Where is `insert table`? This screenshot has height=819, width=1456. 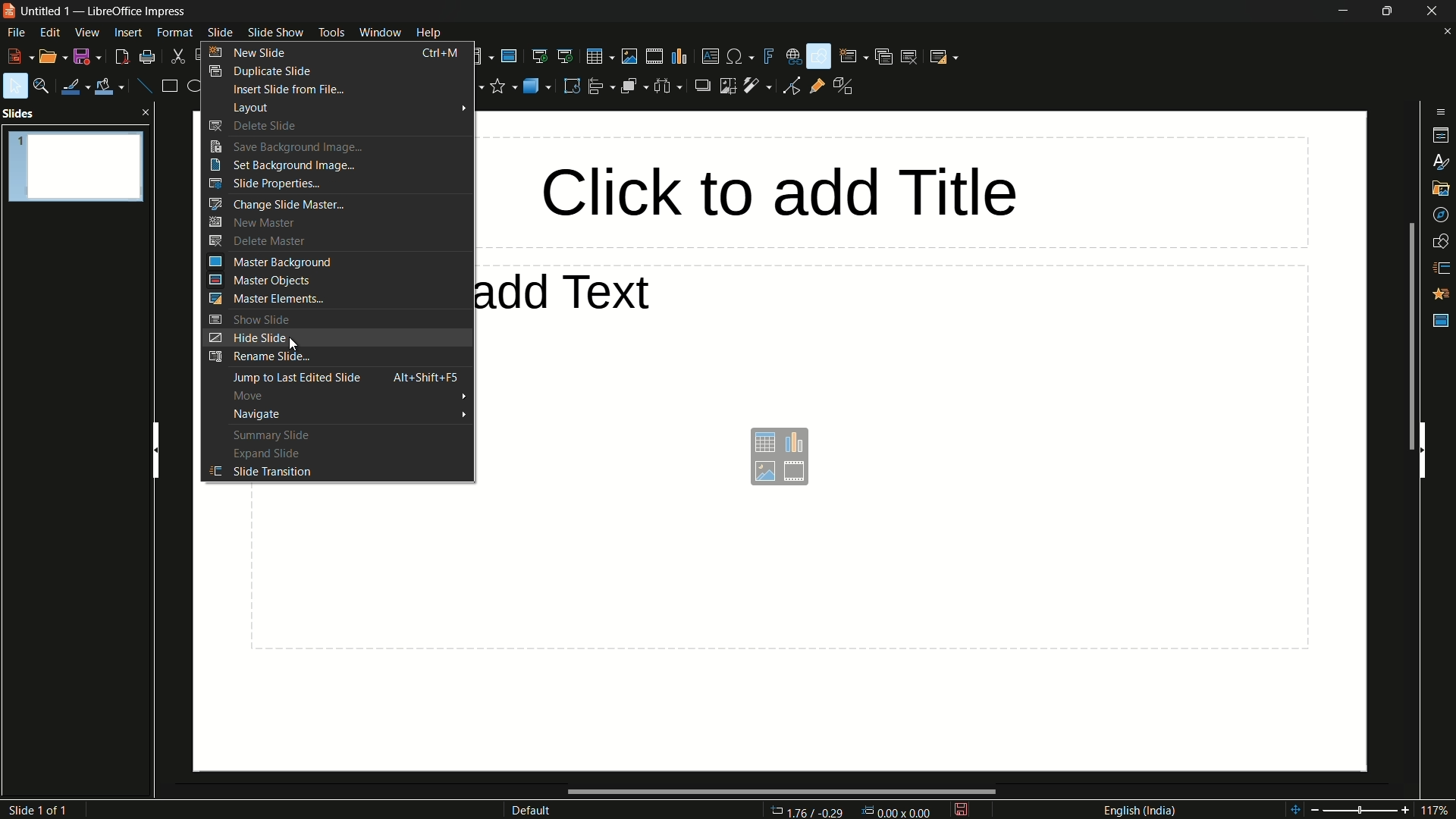 insert table is located at coordinates (765, 443).